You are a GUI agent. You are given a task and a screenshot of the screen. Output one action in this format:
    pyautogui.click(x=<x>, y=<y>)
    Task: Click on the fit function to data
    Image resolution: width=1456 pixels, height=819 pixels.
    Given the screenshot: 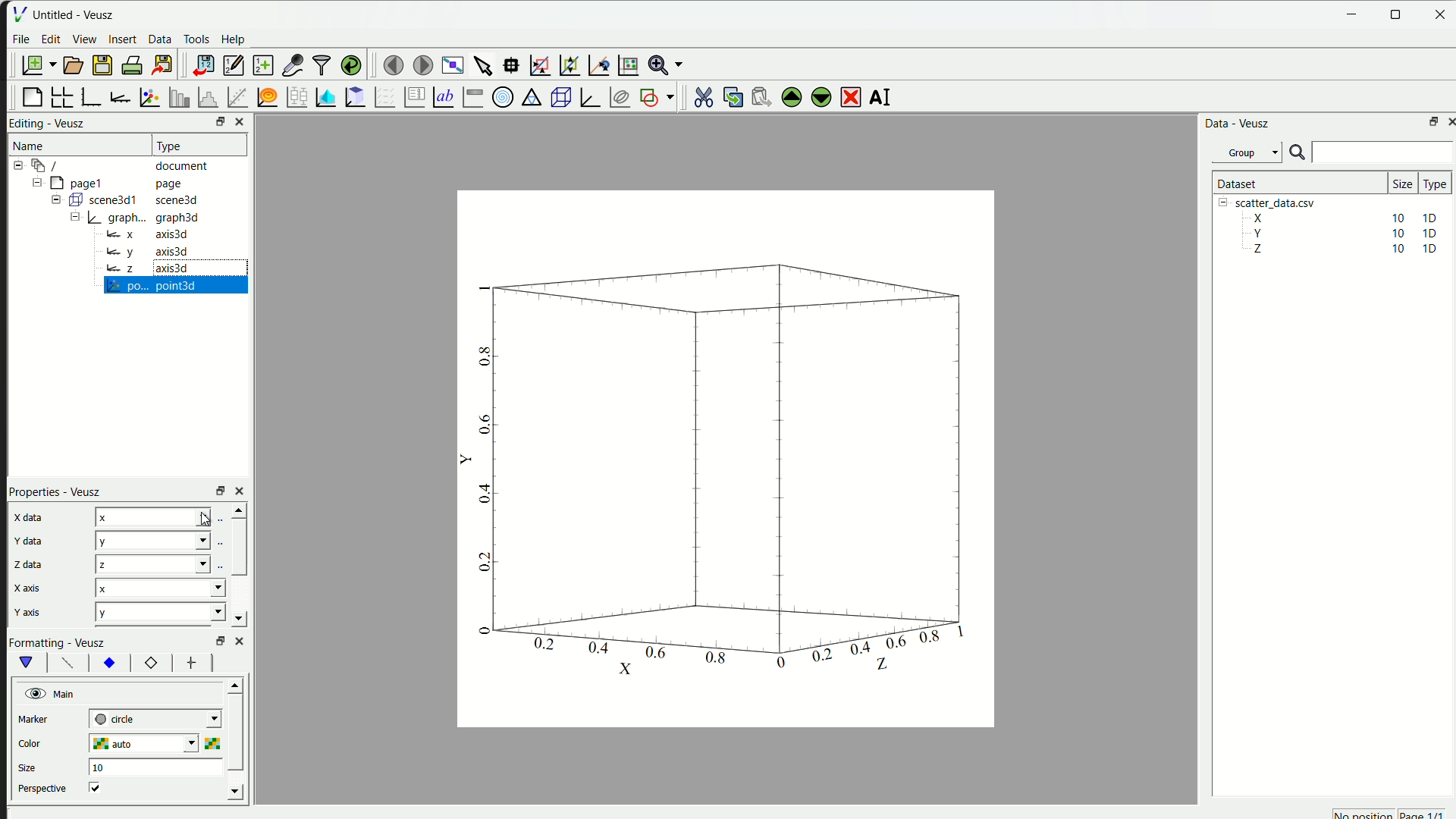 What is the action you would take?
    pyautogui.click(x=236, y=96)
    